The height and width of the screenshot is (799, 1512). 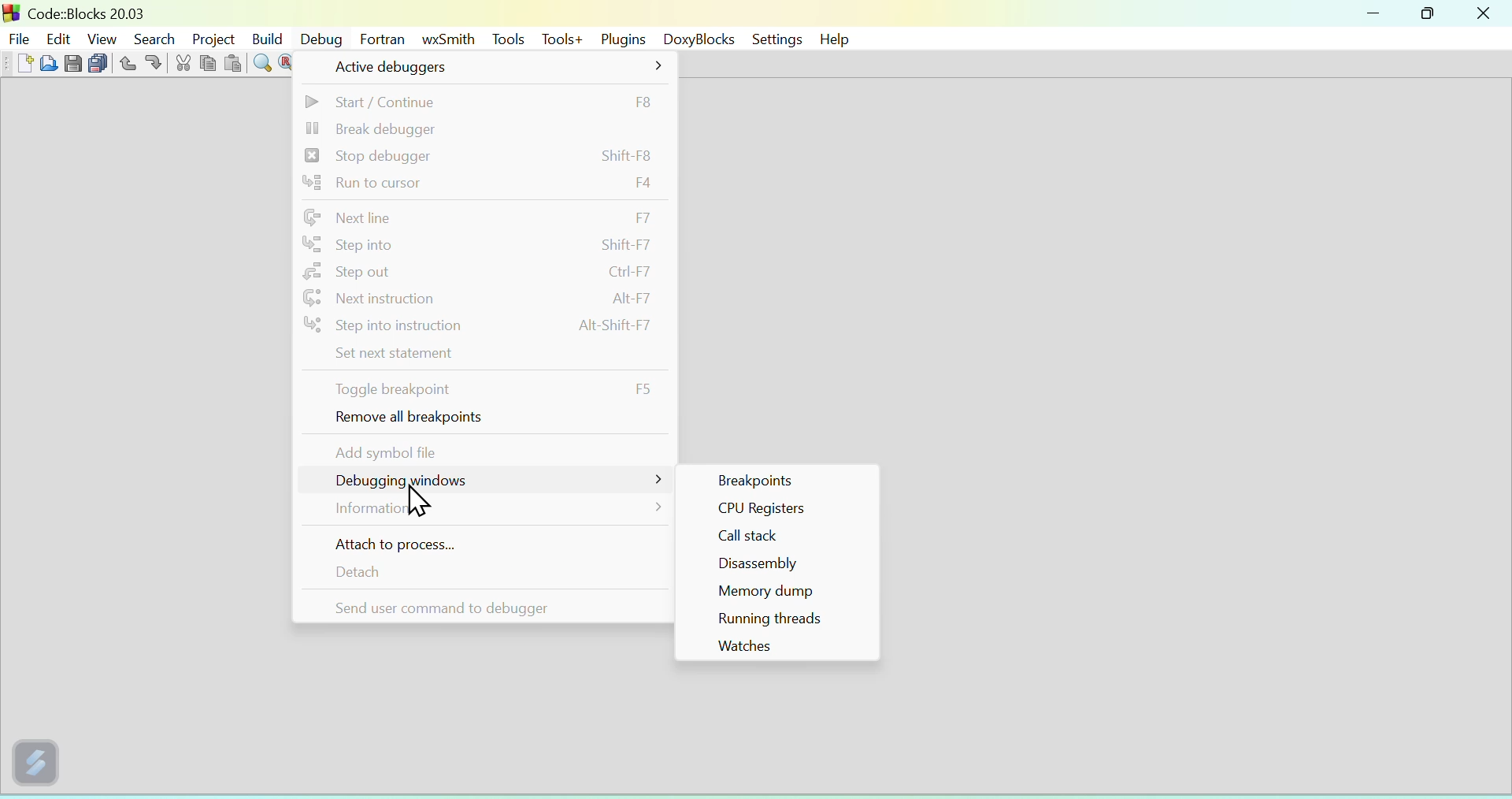 What do you see at coordinates (480, 420) in the screenshot?
I see `remove all breakpoints` at bounding box center [480, 420].